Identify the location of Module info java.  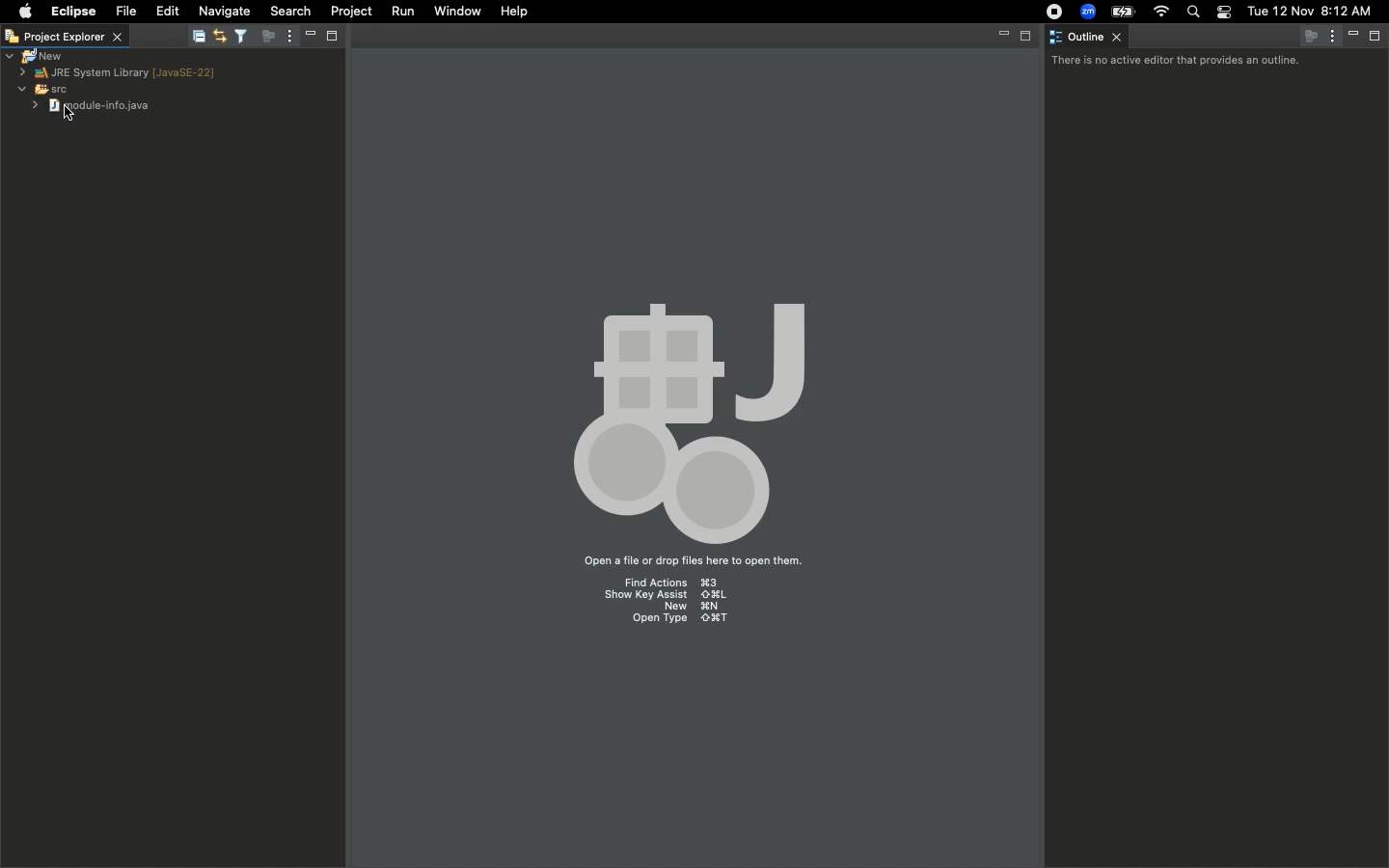
(94, 109).